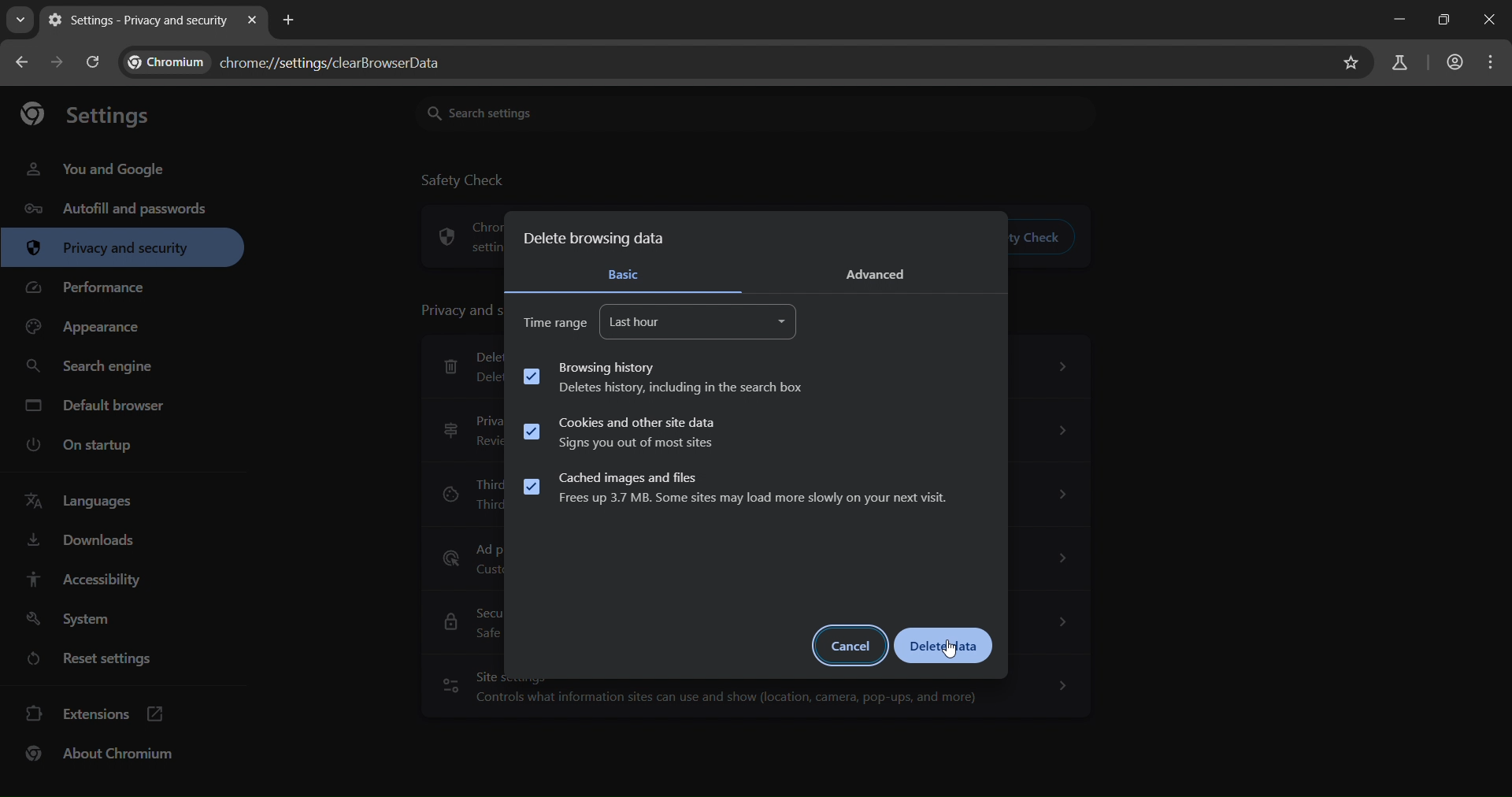 The image size is (1512, 797). What do you see at coordinates (1490, 65) in the screenshot?
I see `menu` at bounding box center [1490, 65].